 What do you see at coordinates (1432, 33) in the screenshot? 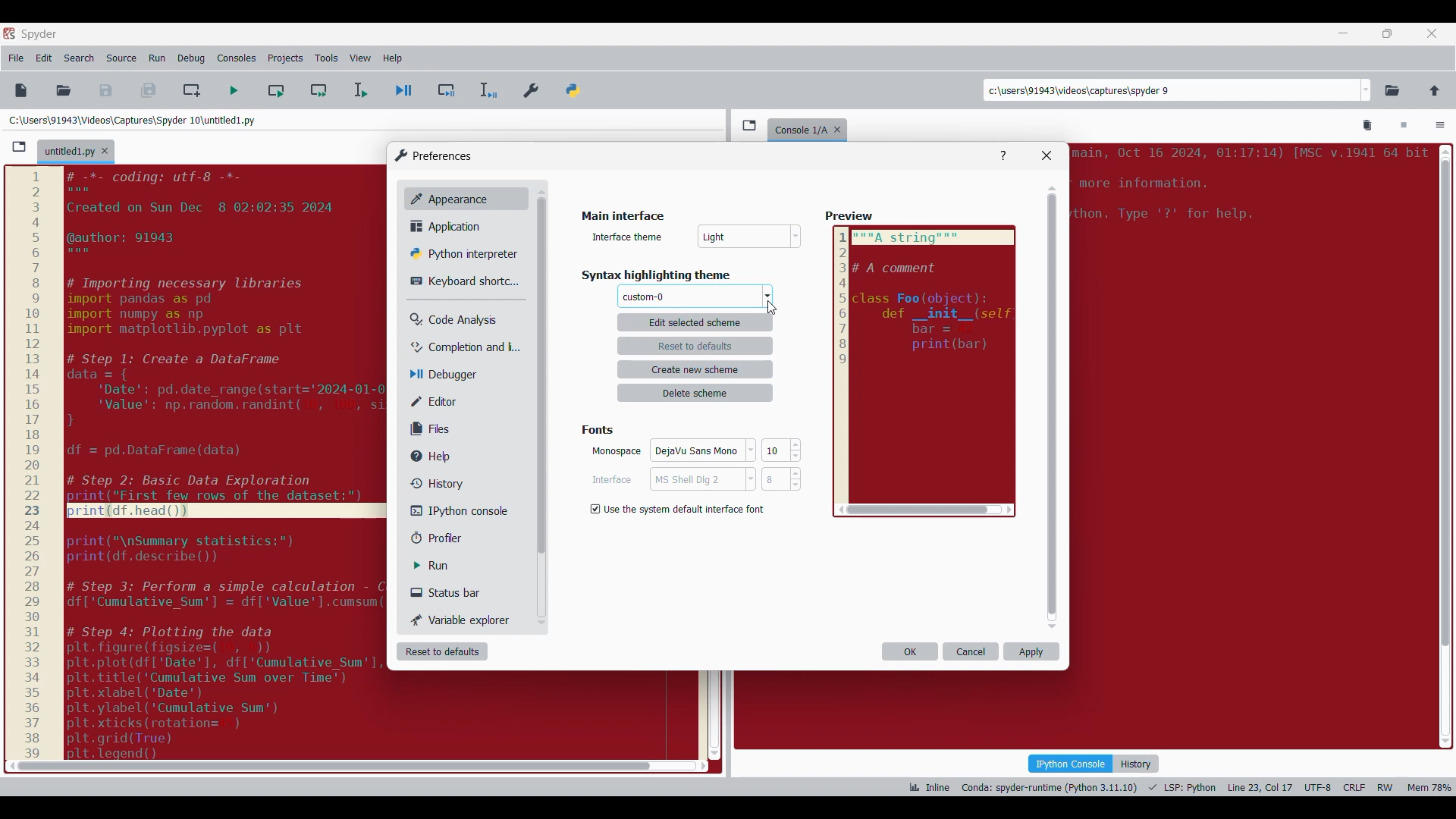
I see `Close tab` at bounding box center [1432, 33].